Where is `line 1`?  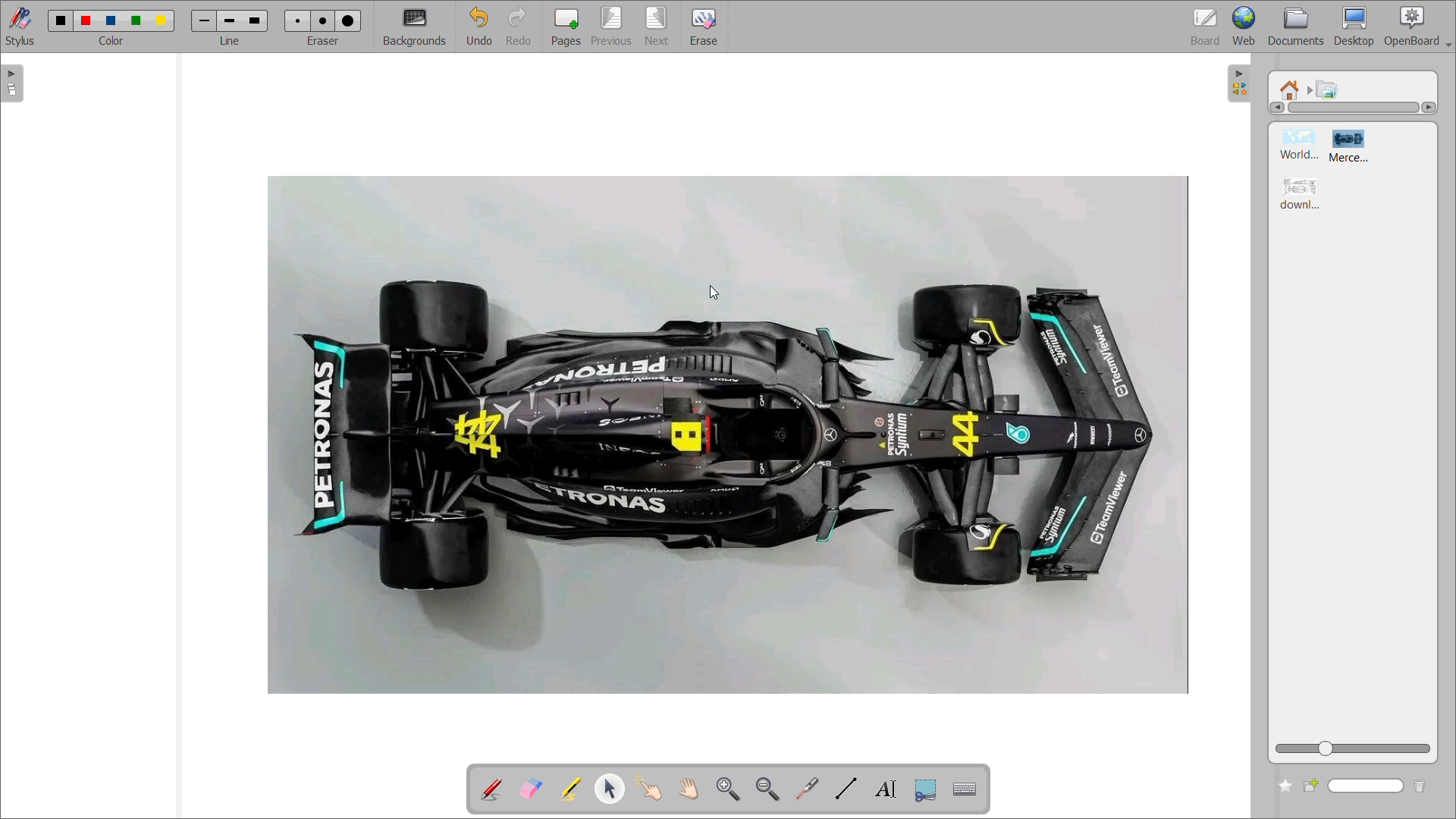 line 1 is located at coordinates (203, 20).